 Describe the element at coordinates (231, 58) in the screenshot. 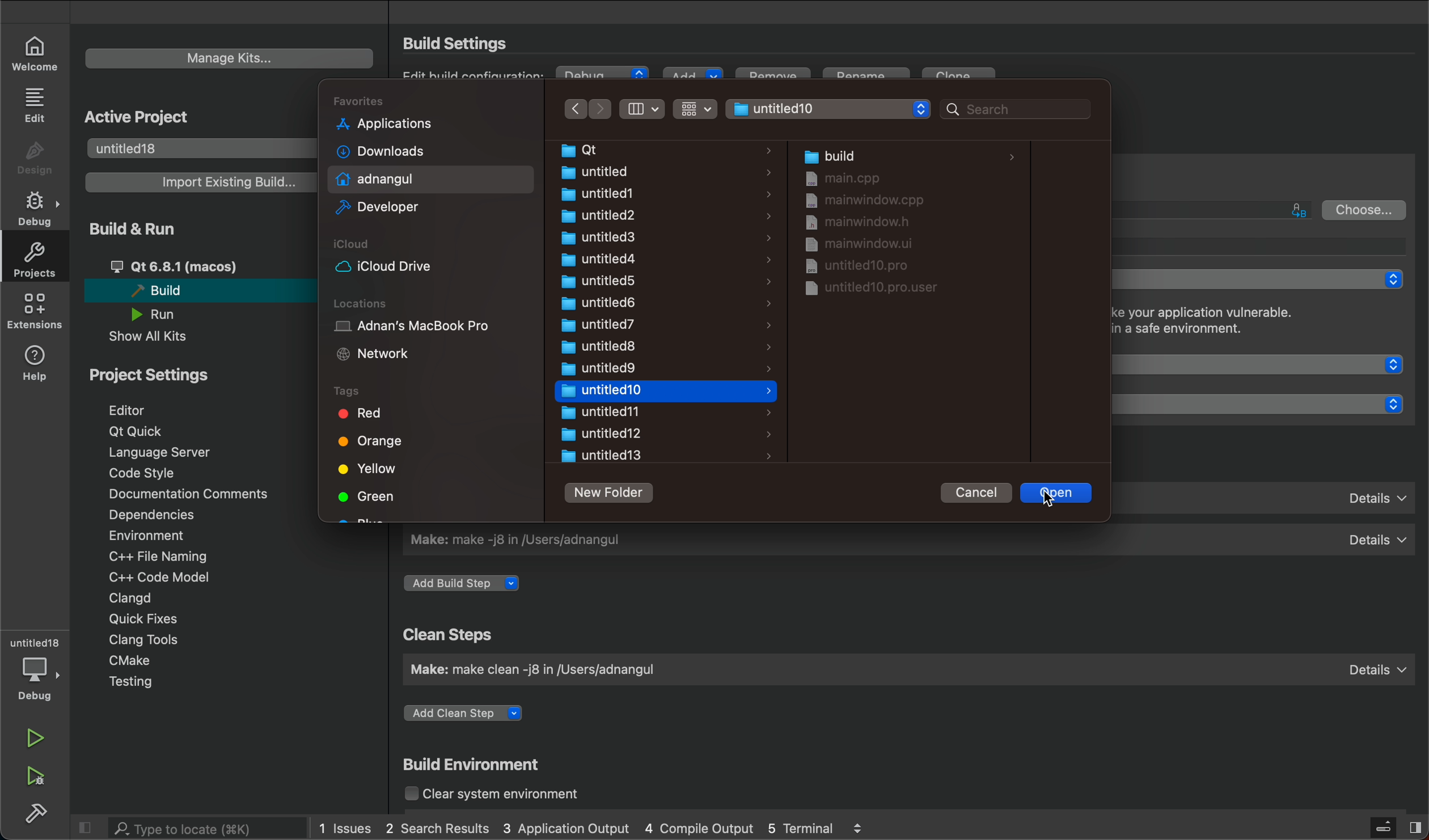

I see `manage kits` at that location.